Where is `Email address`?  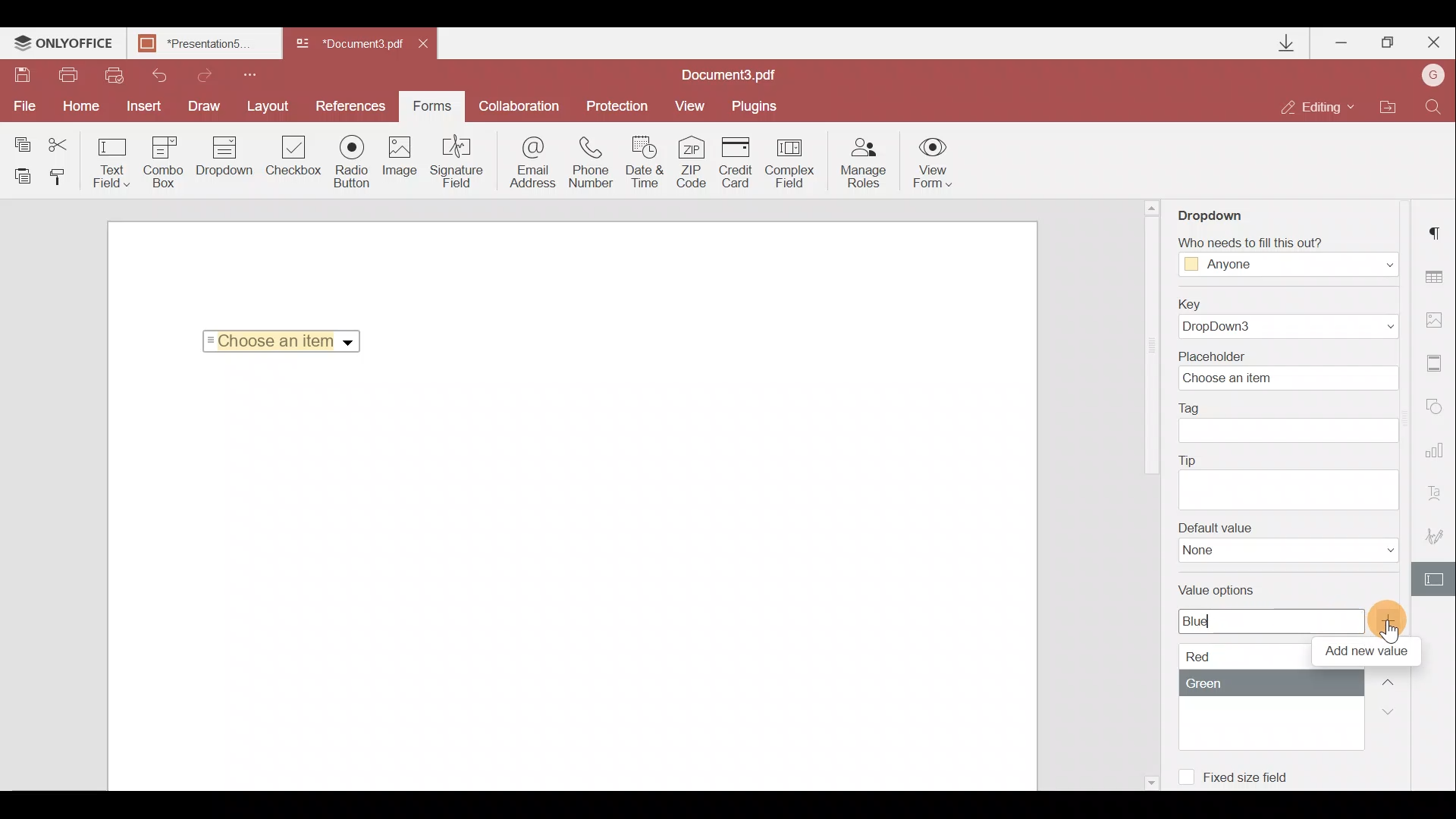
Email address is located at coordinates (527, 166).